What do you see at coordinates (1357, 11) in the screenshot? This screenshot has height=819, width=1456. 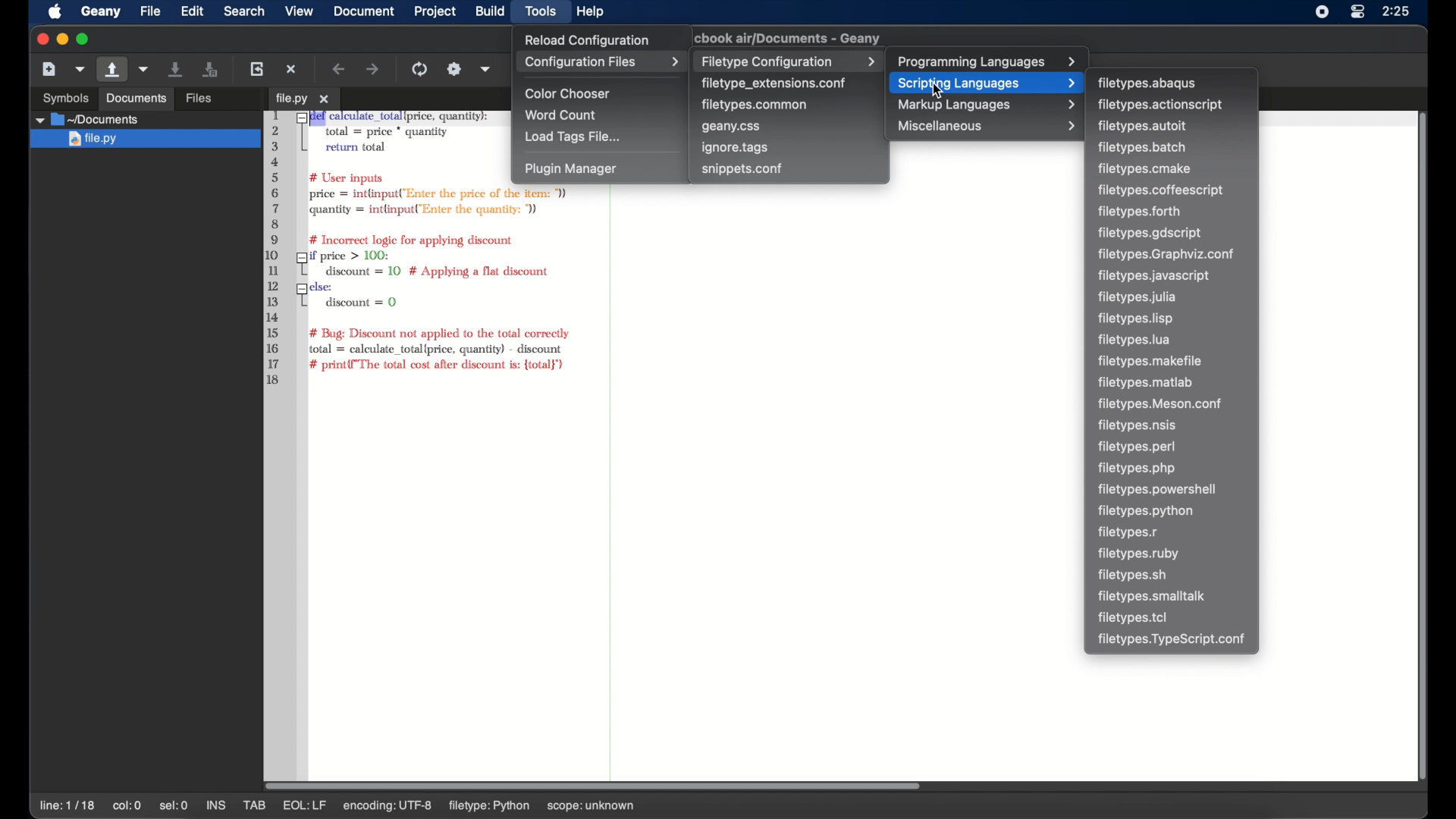 I see `control center` at bounding box center [1357, 11].